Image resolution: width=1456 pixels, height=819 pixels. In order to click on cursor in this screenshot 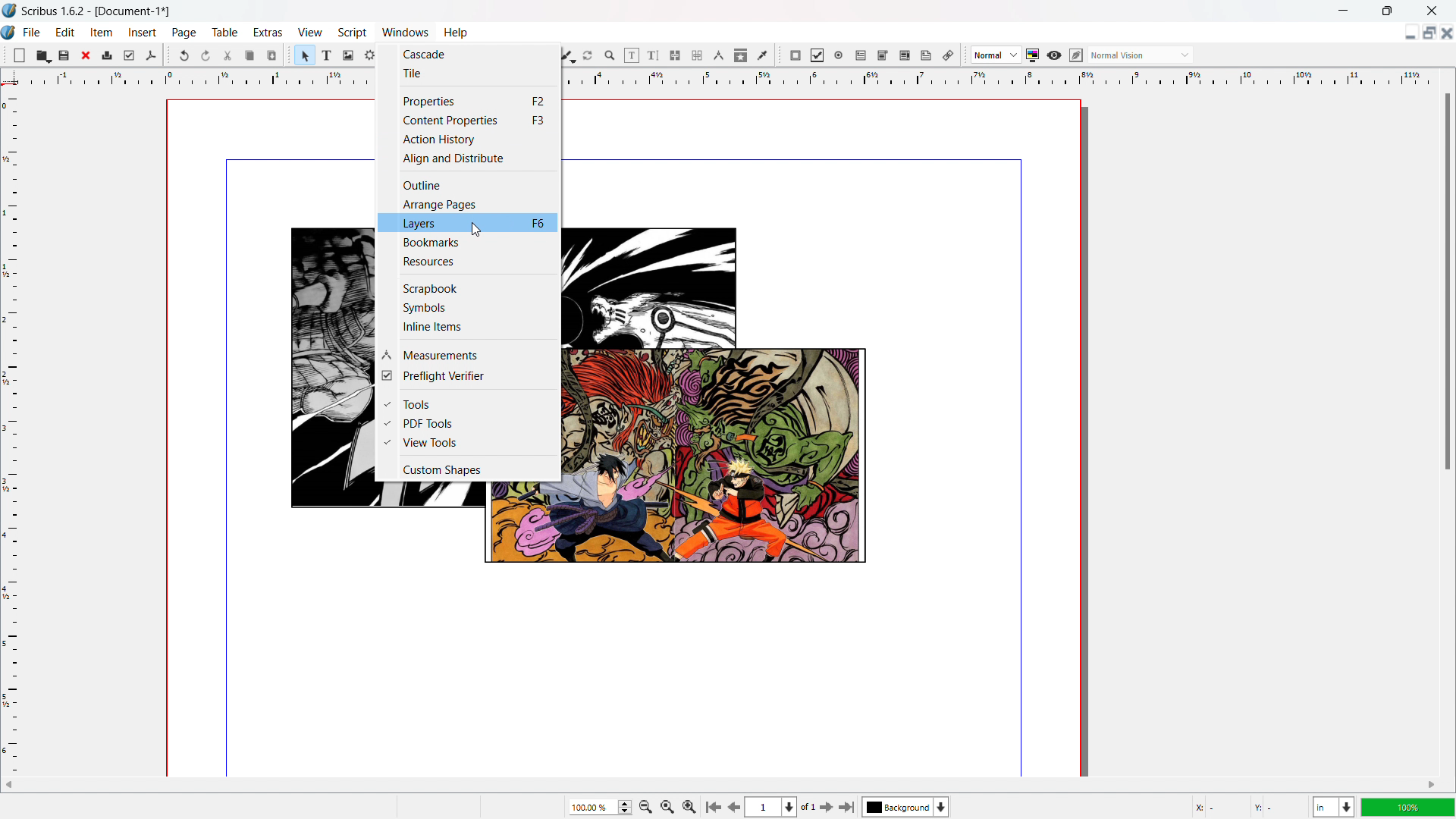, I will do `click(478, 230)`.